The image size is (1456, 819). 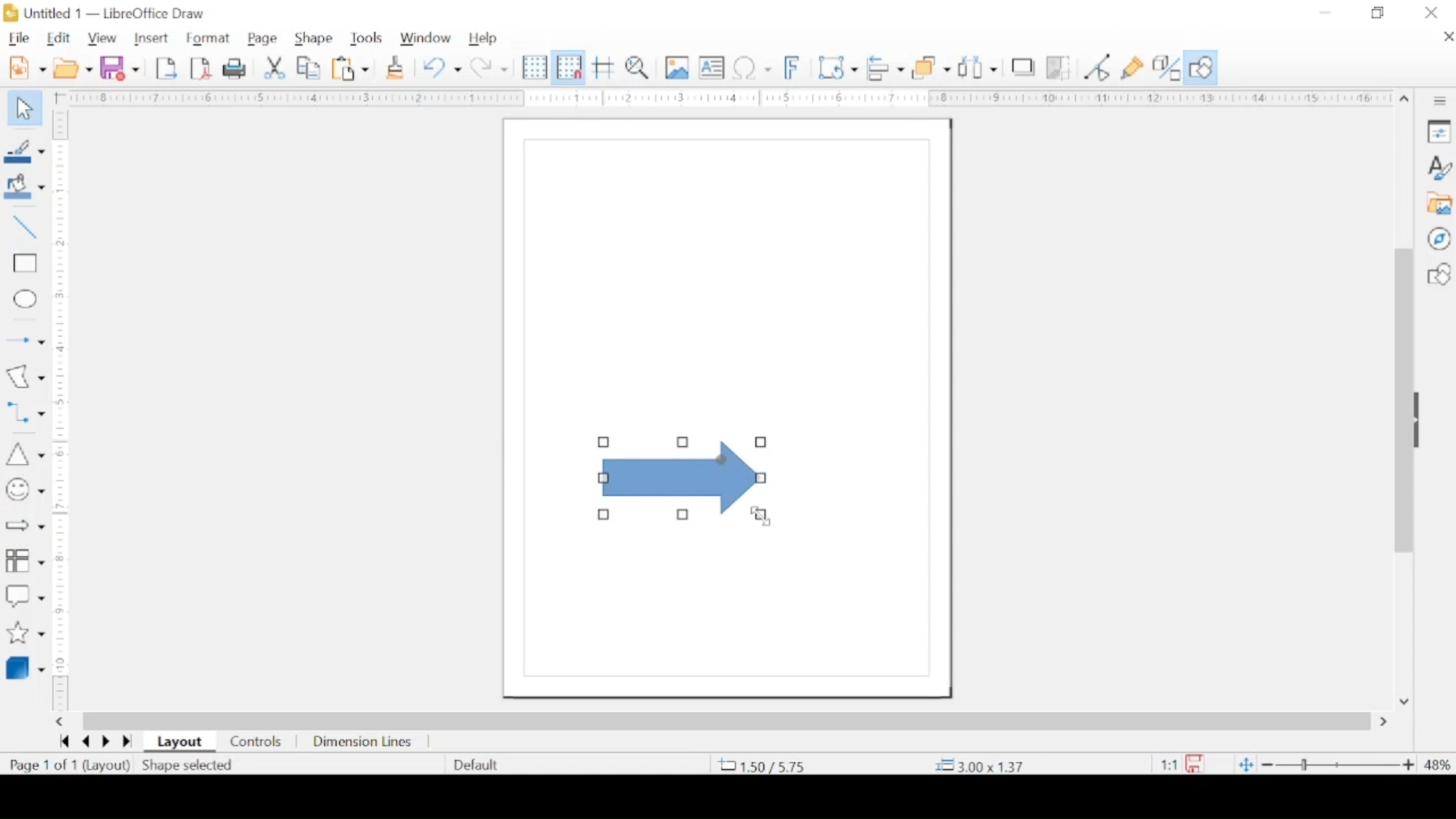 I want to click on copy, so click(x=309, y=67).